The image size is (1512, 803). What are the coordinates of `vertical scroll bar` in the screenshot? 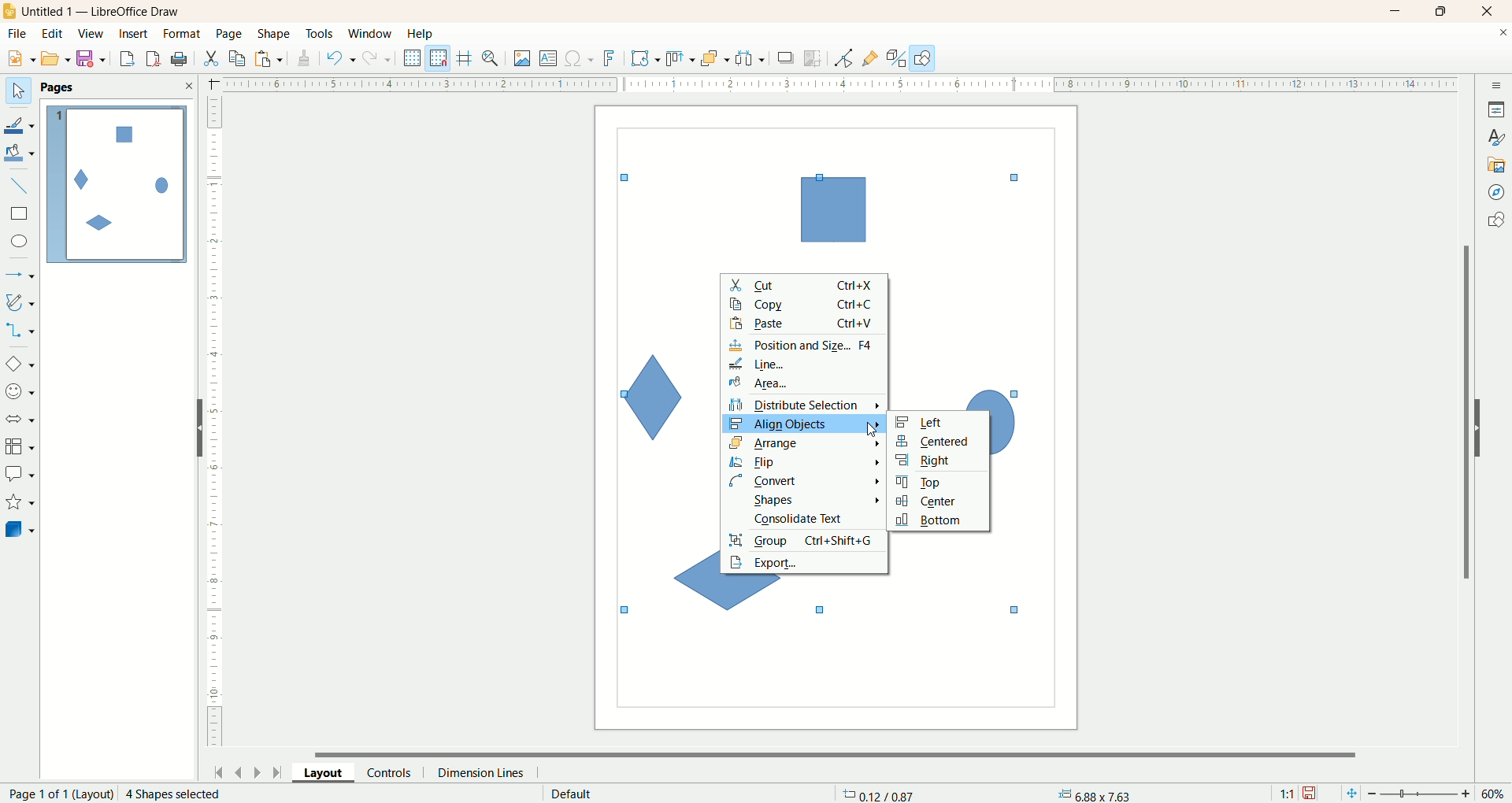 It's located at (1463, 412).